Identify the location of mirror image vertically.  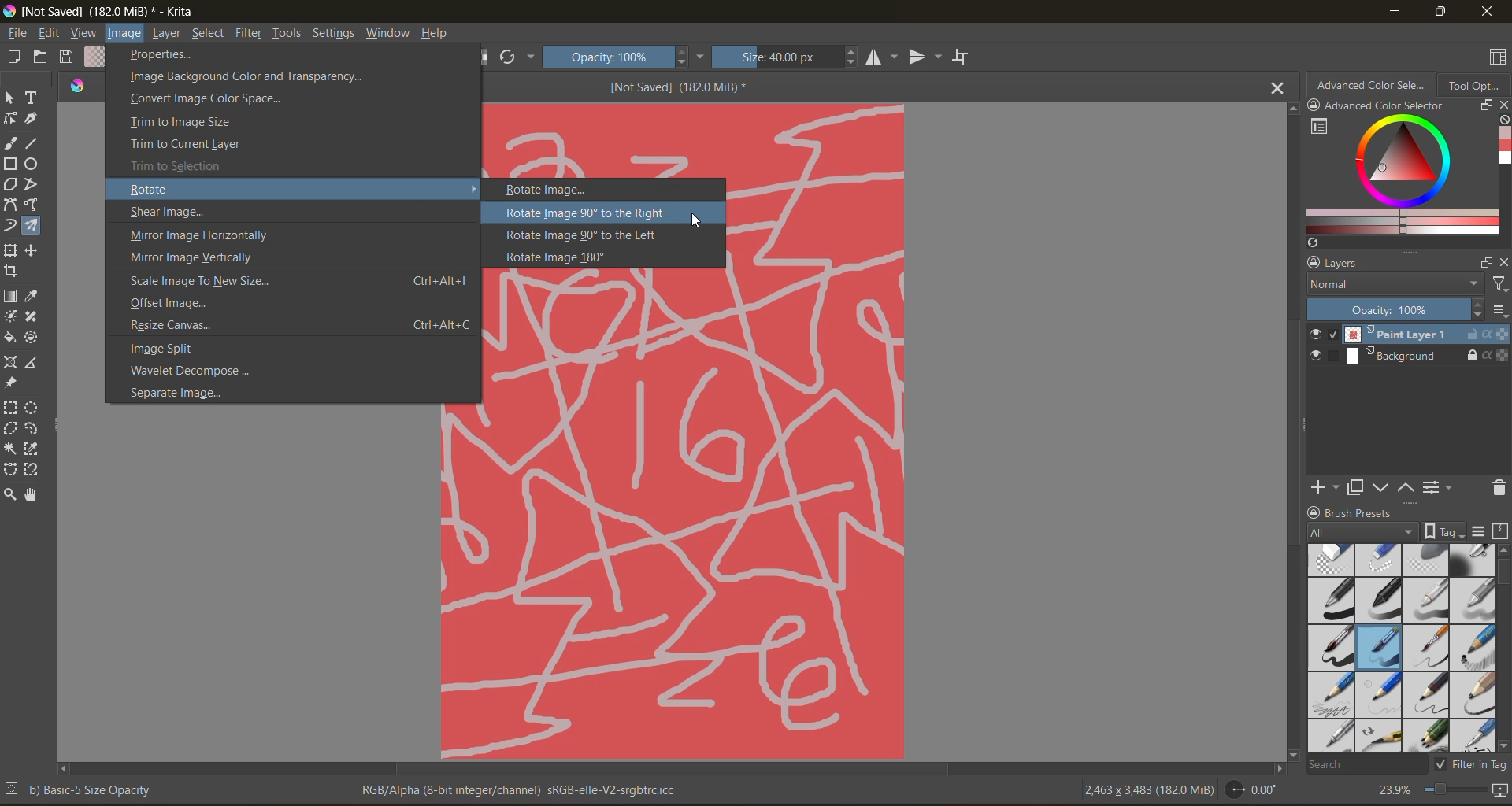
(200, 258).